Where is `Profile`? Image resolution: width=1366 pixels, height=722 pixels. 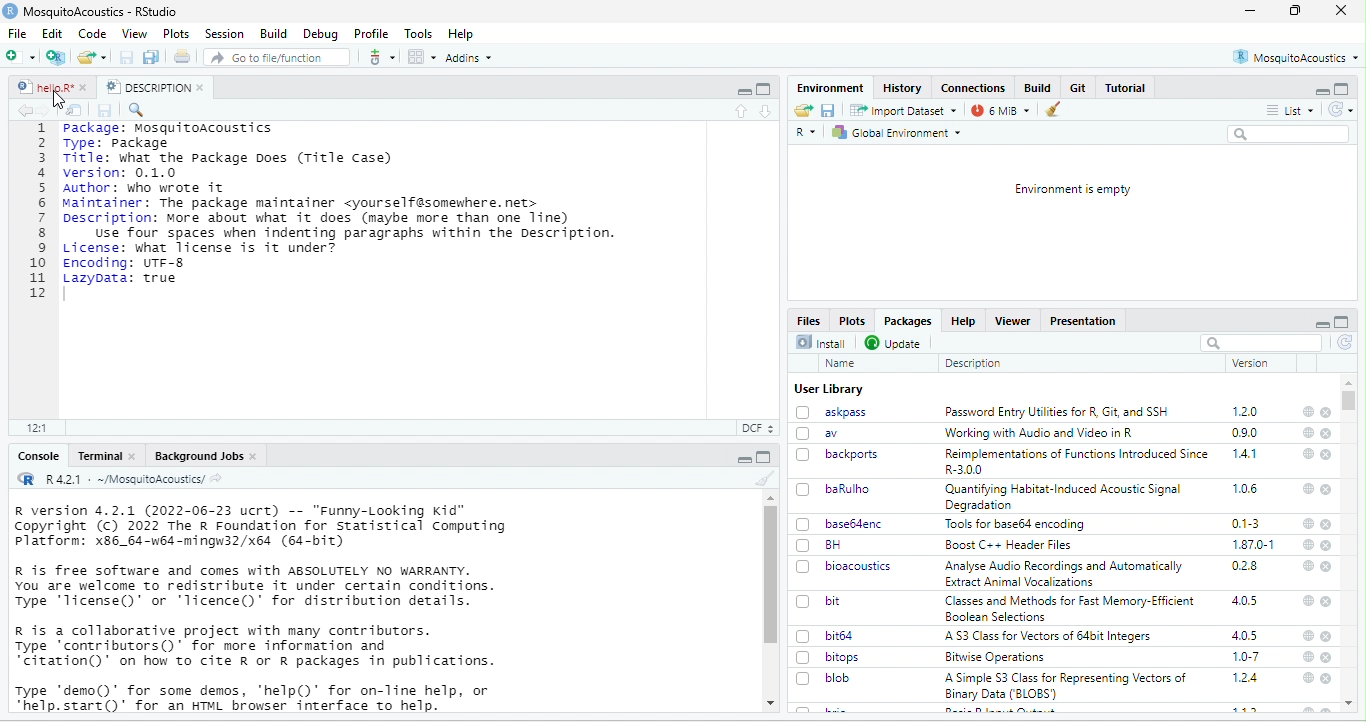 Profile is located at coordinates (372, 33).